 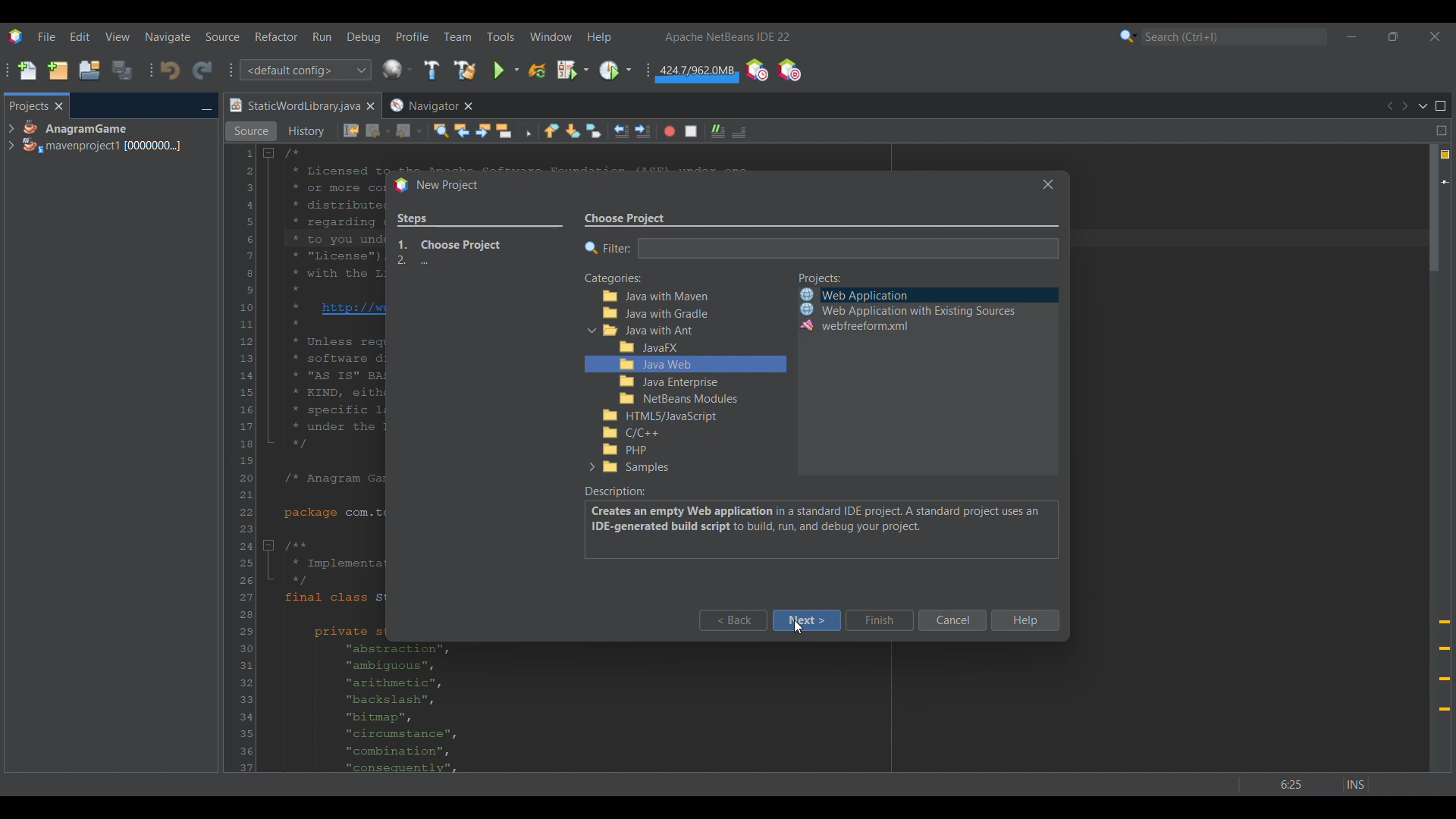 I want to click on Find next occurrence, so click(x=483, y=130).